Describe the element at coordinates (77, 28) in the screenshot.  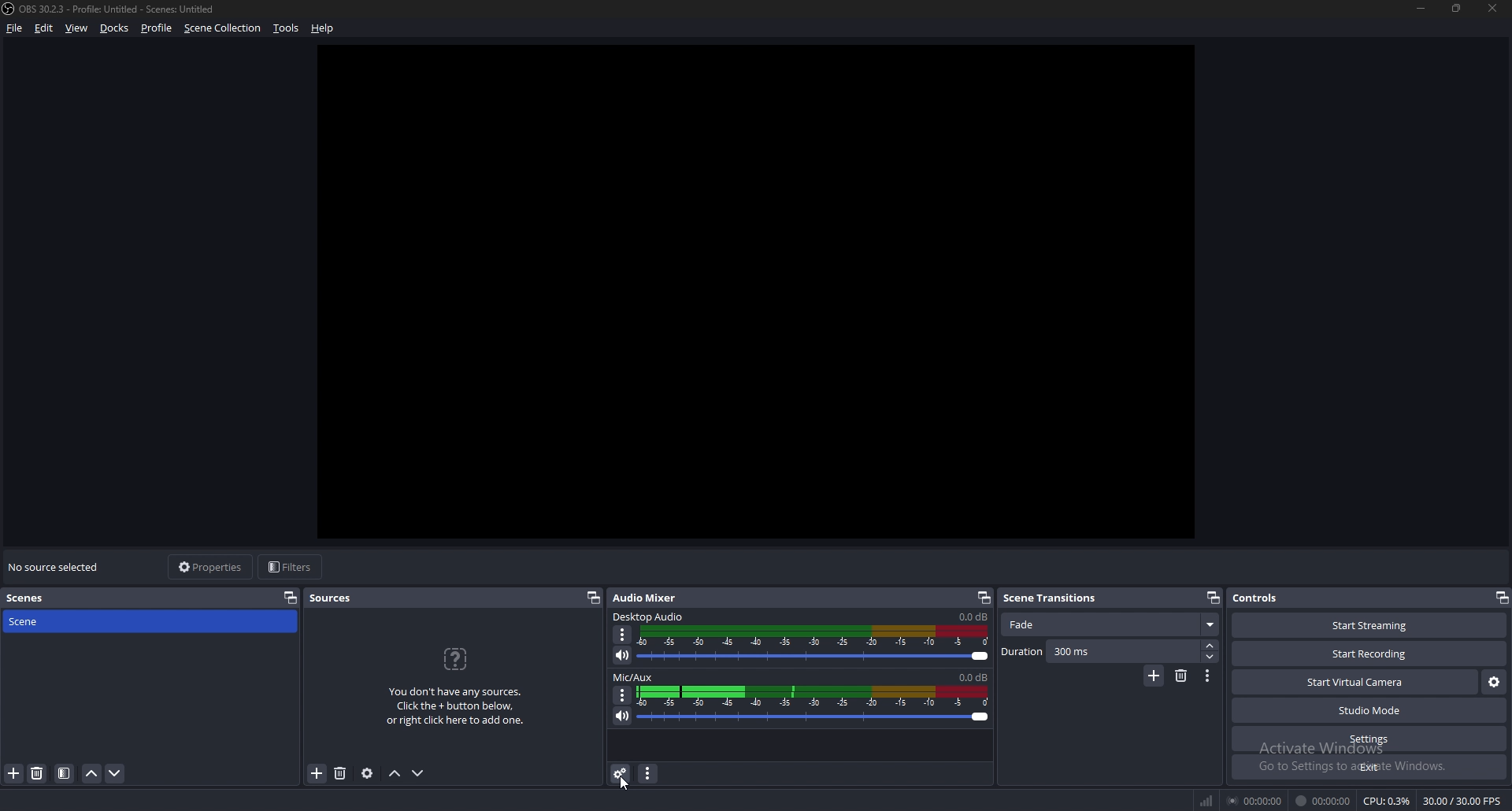
I see `view` at that location.